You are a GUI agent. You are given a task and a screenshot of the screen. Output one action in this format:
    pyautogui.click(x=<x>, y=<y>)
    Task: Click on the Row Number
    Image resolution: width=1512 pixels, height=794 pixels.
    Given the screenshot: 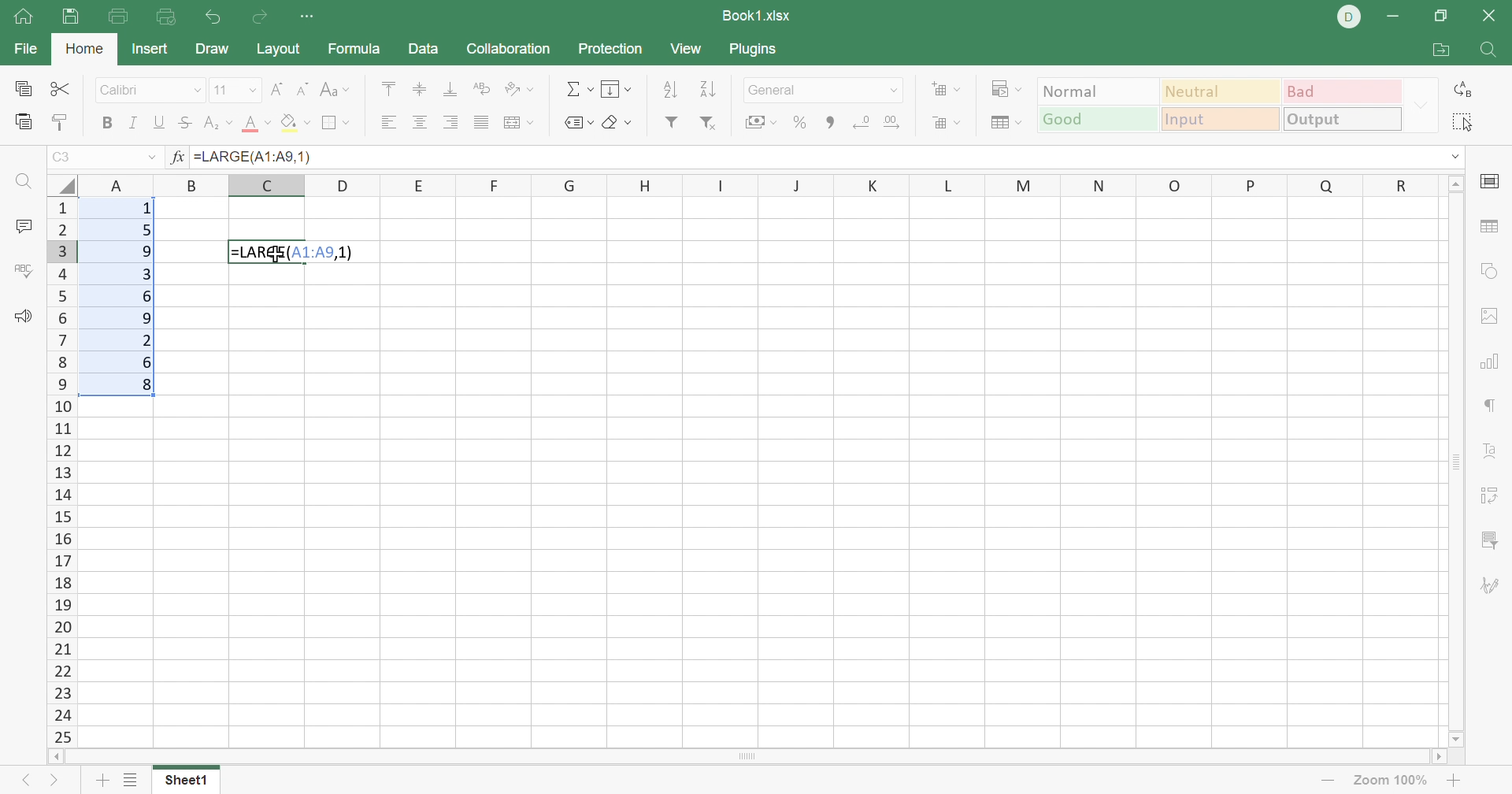 What is the action you would take?
    pyautogui.click(x=63, y=471)
    